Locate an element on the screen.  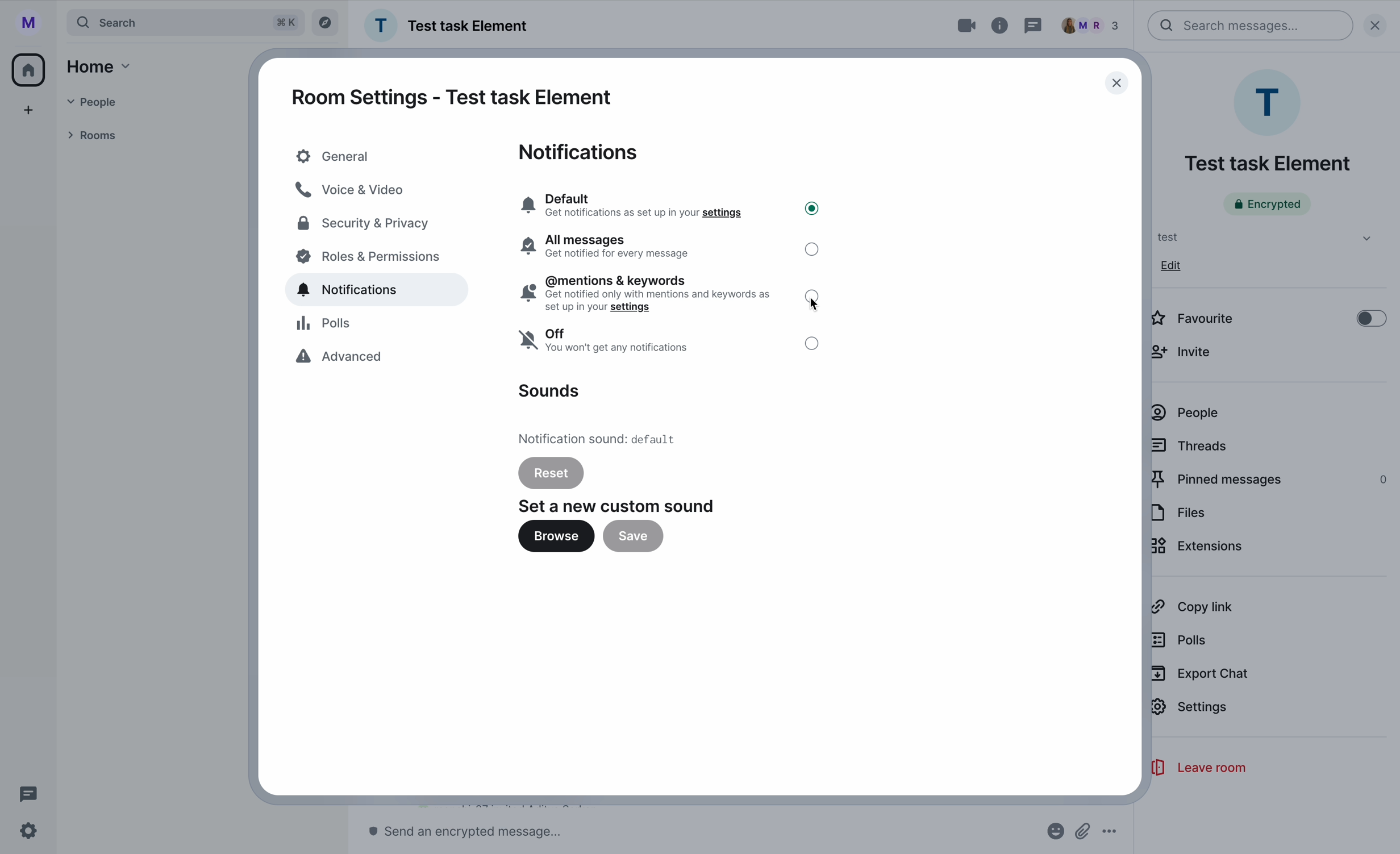
copy link is located at coordinates (1191, 607).